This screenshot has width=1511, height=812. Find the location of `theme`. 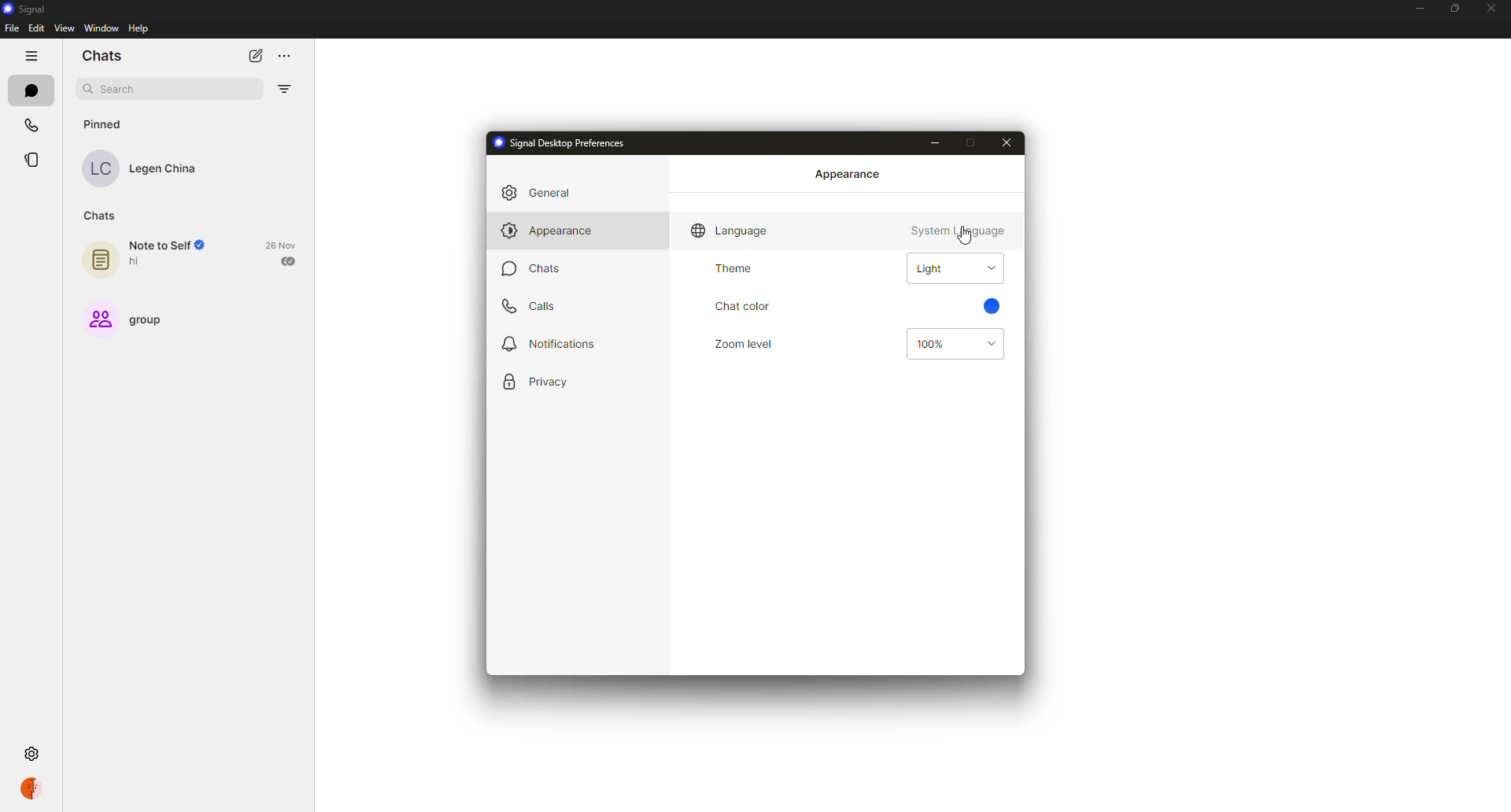

theme is located at coordinates (733, 270).